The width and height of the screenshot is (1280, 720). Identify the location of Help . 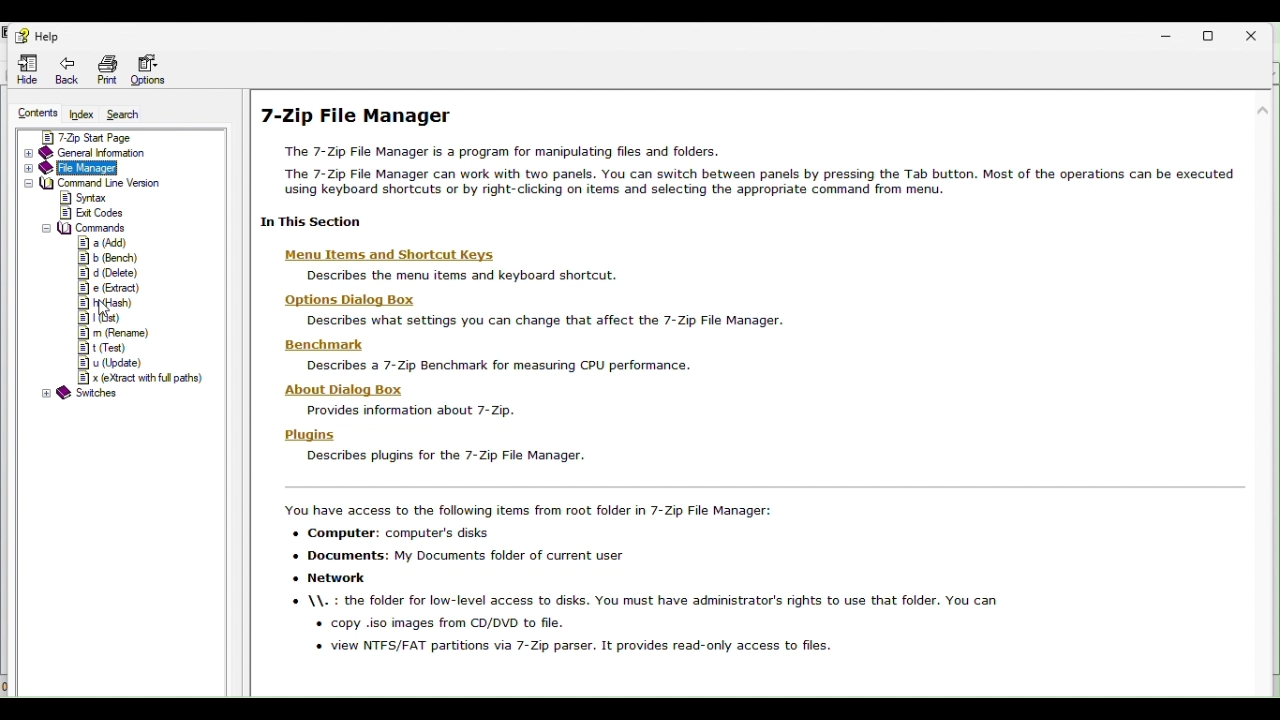
(43, 37).